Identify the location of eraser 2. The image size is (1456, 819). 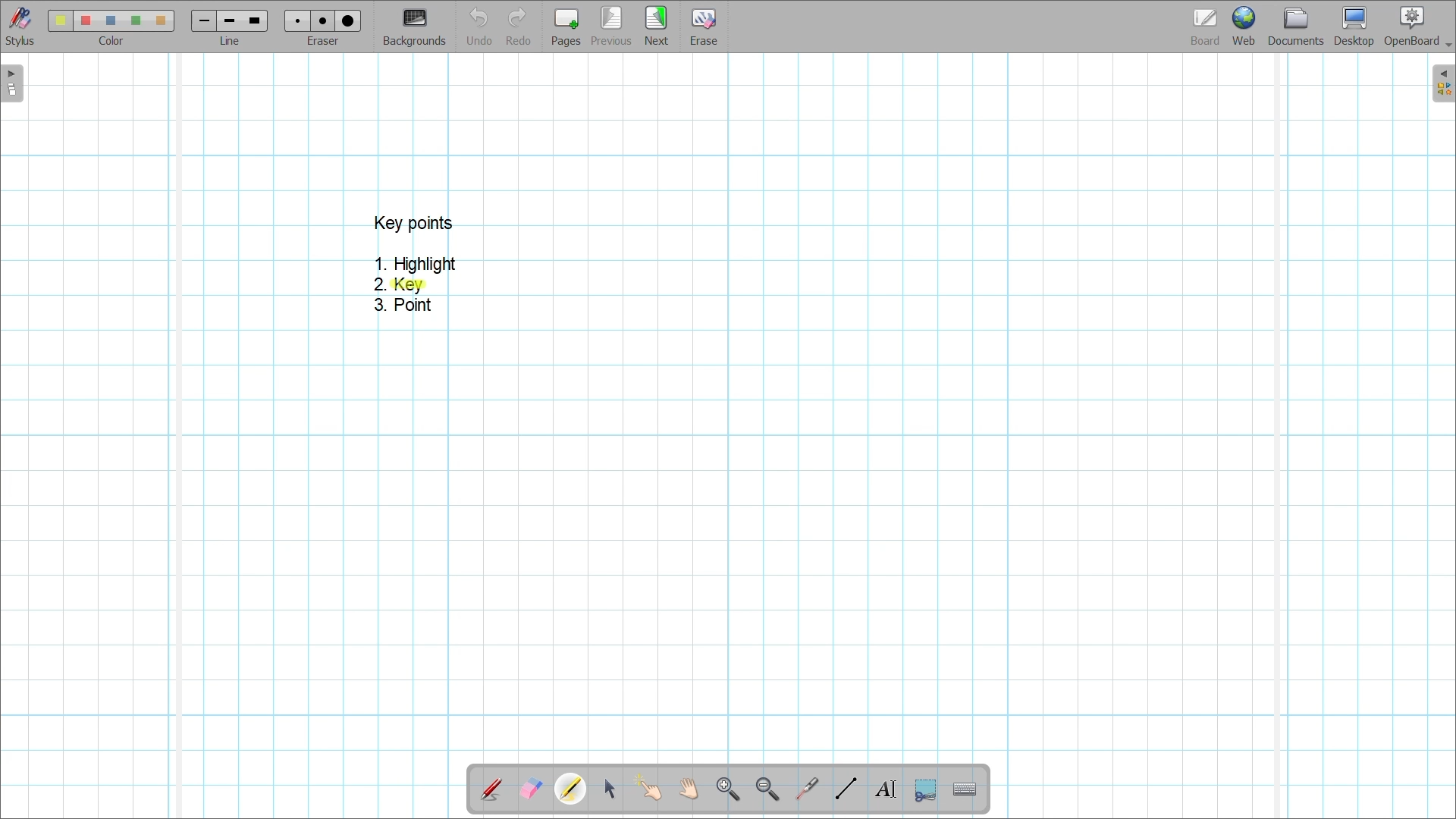
(322, 20).